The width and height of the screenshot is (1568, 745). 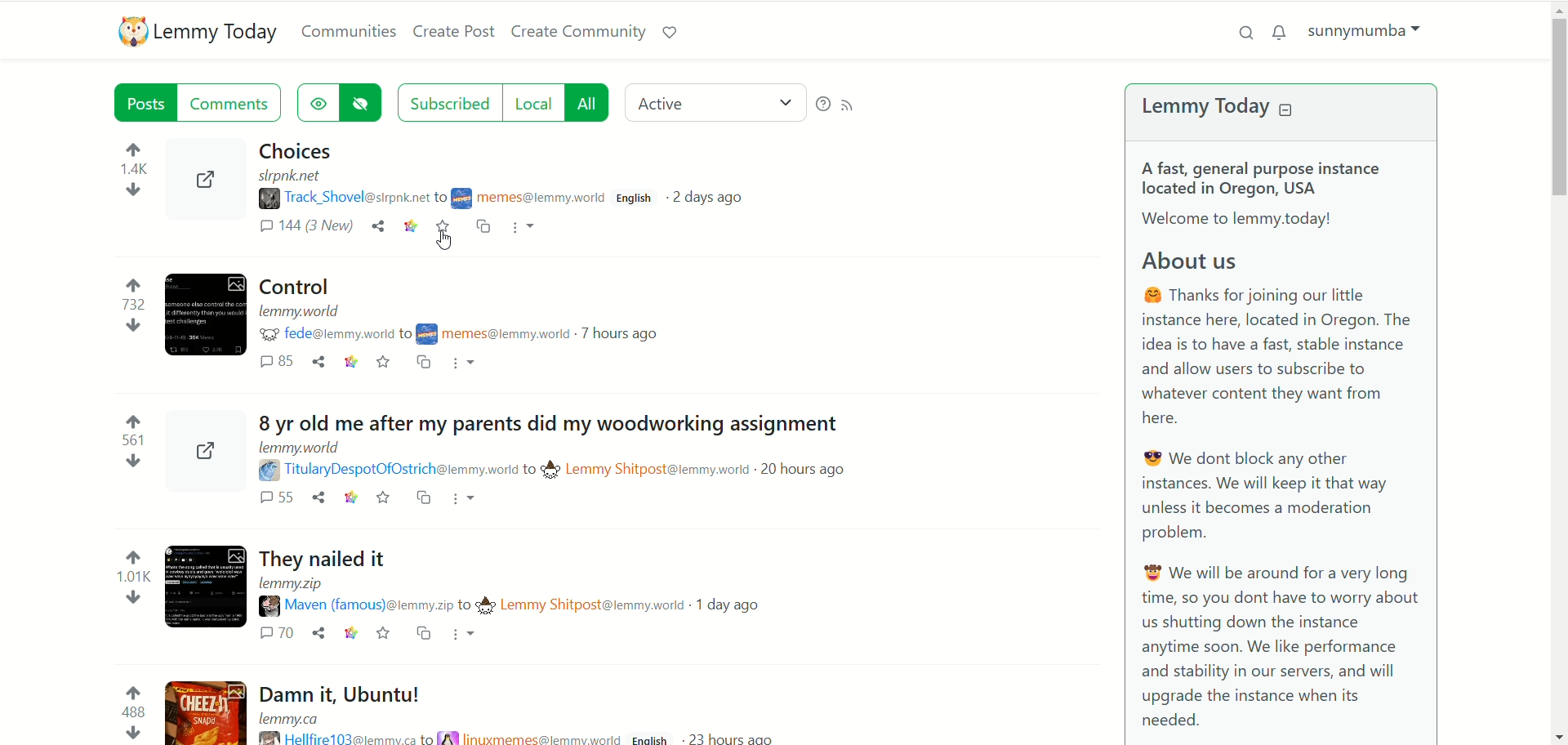 What do you see at coordinates (394, 700) in the screenshot?
I see `post on "Damn it, Ubuntu!"` at bounding box center [394, 700].